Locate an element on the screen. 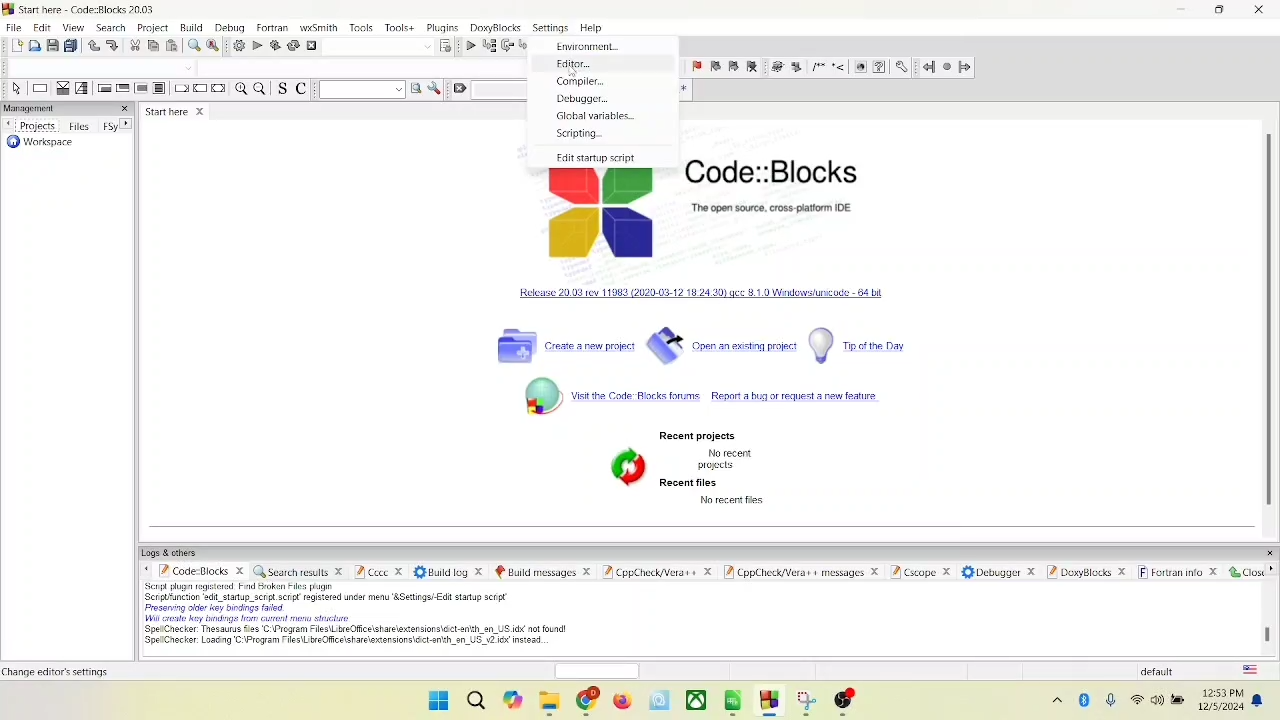 The image size is (1280, 720). break instruction is located at coordinates (180, 88).